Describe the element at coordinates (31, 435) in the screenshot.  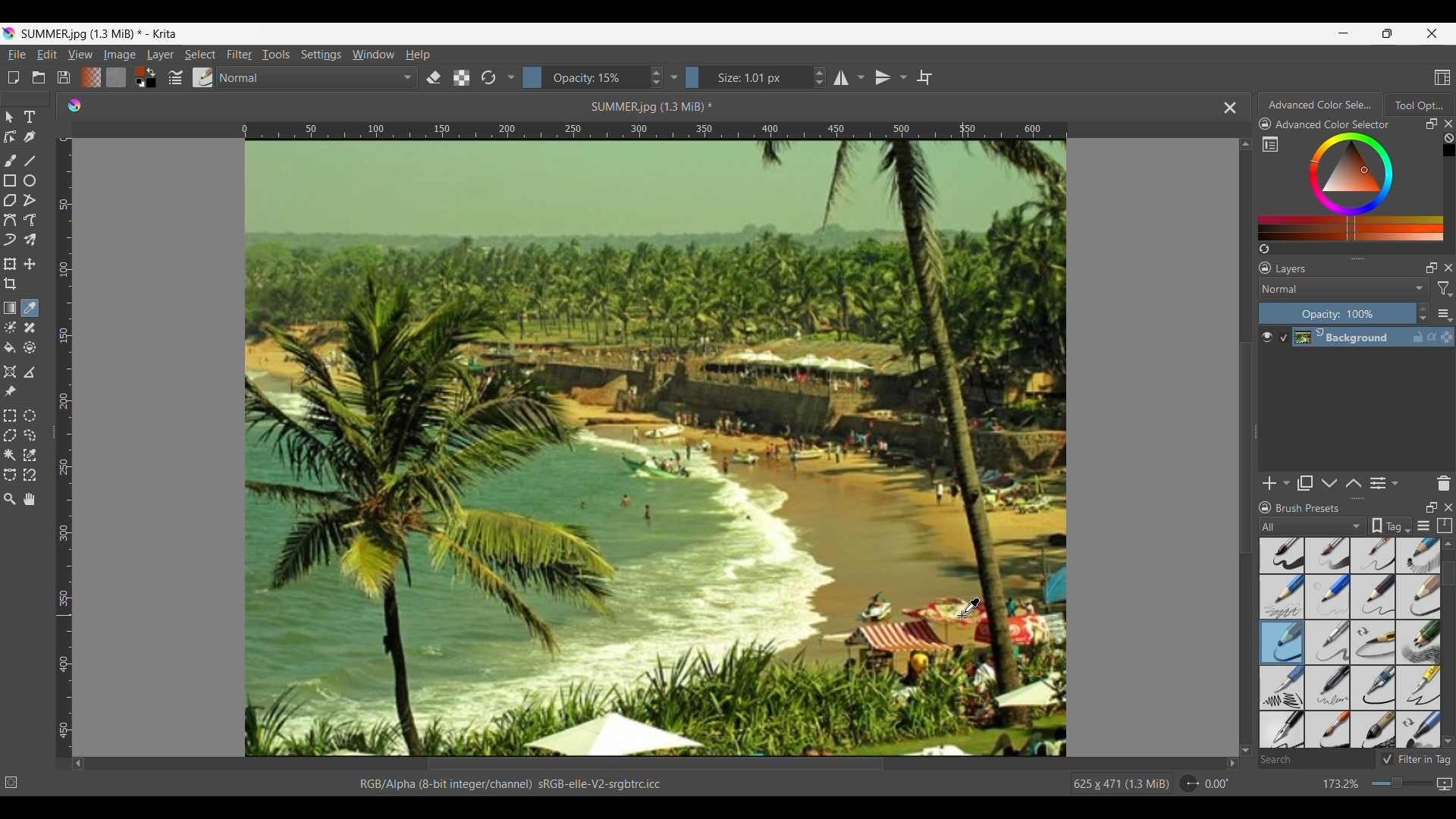
I see `Freehand selection tool` at that location.